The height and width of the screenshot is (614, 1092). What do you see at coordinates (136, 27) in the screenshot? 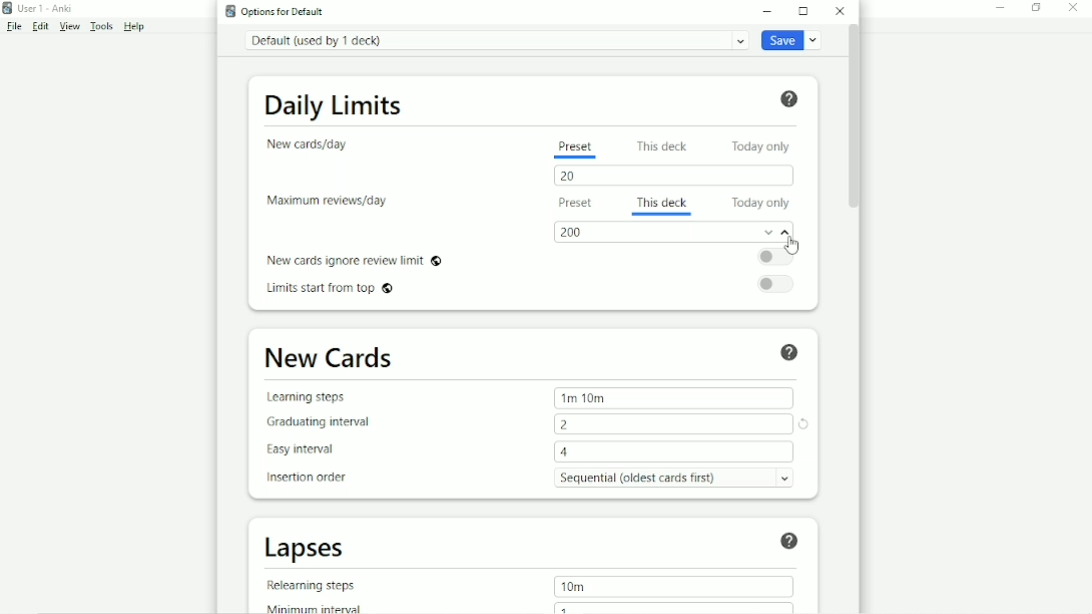
I see `Help` at bounding box center [136, 27].